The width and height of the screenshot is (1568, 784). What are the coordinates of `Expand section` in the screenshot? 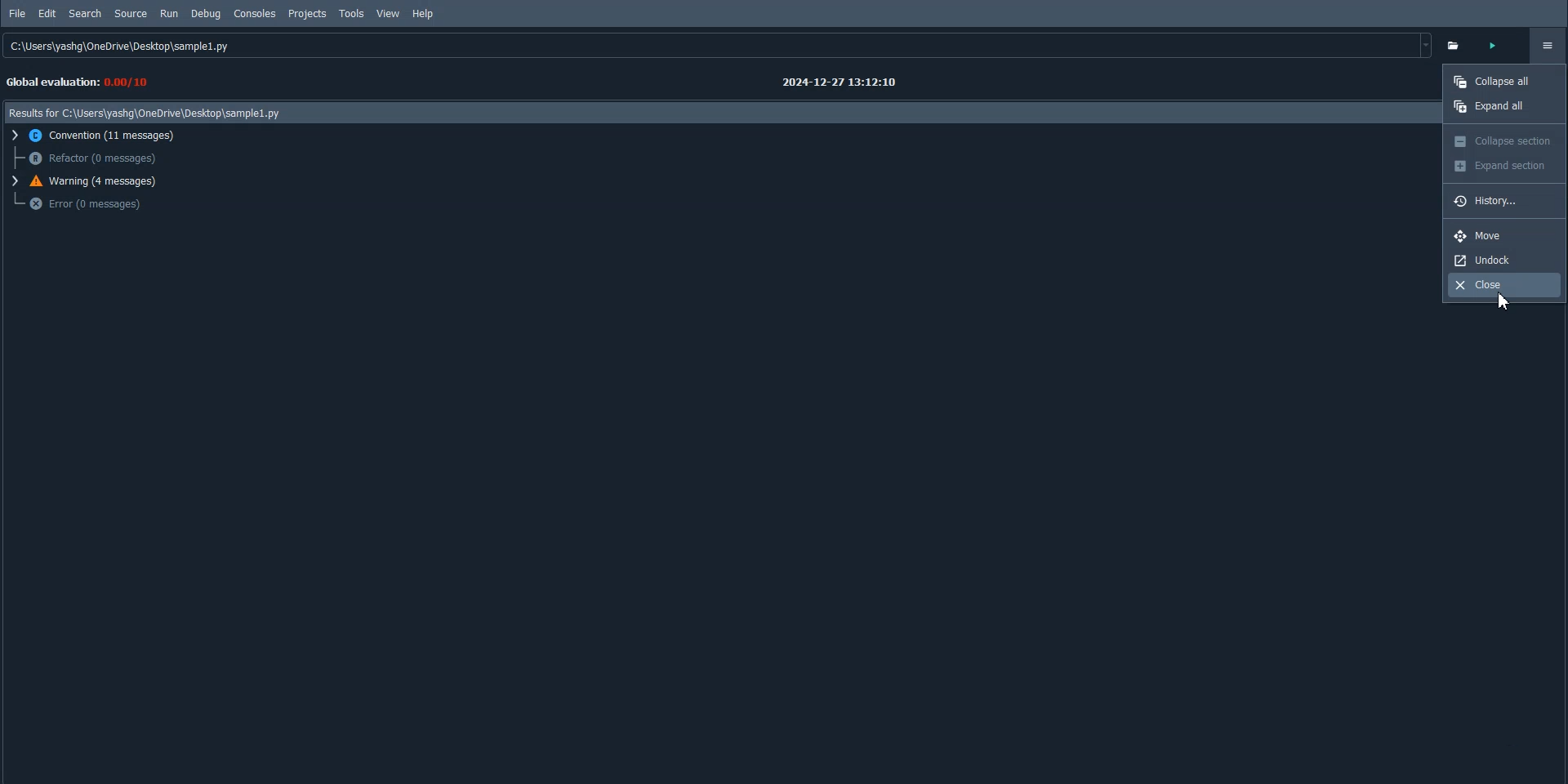 It's located at (1505, 167).